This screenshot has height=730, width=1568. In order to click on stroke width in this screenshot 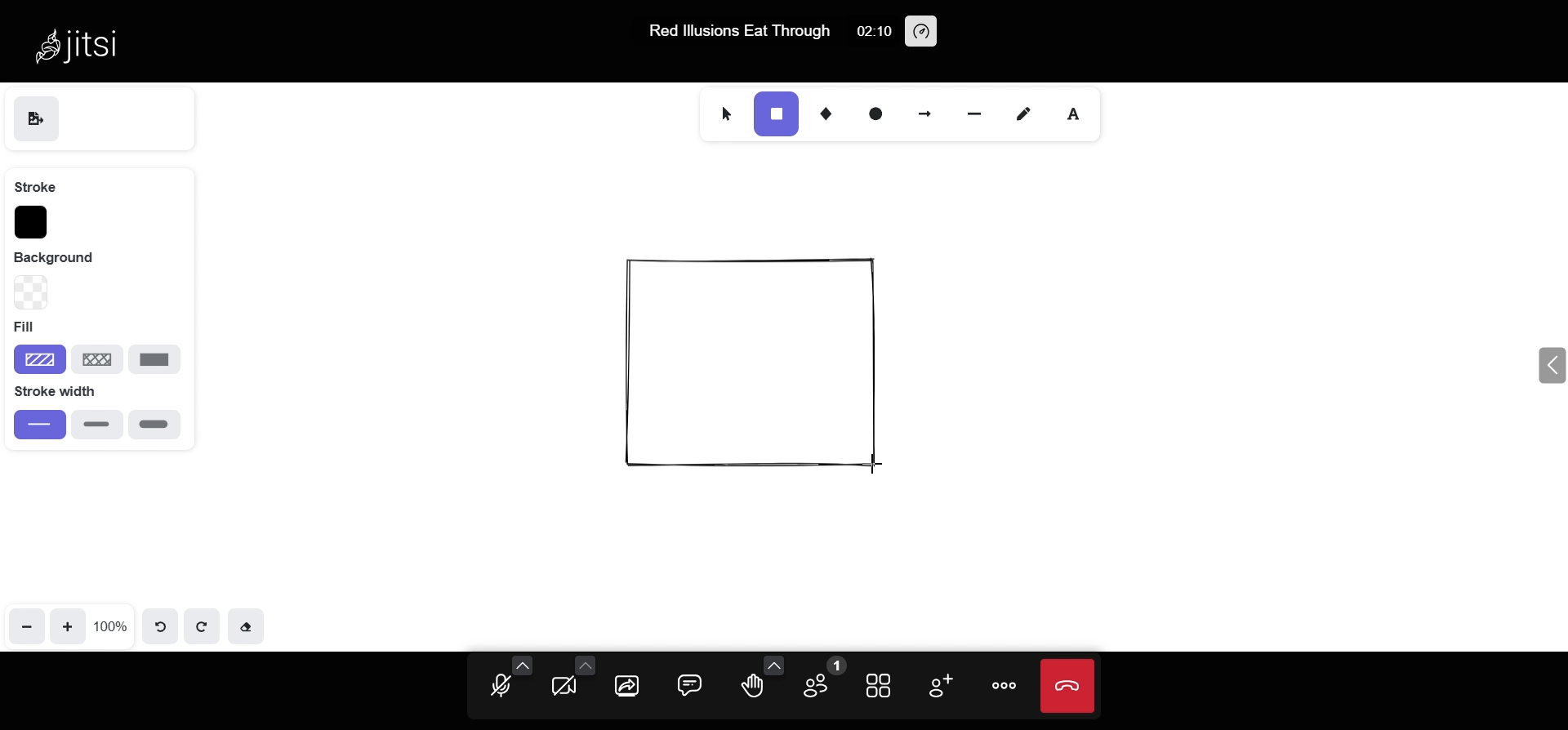, I will do `click(68, 391)`.